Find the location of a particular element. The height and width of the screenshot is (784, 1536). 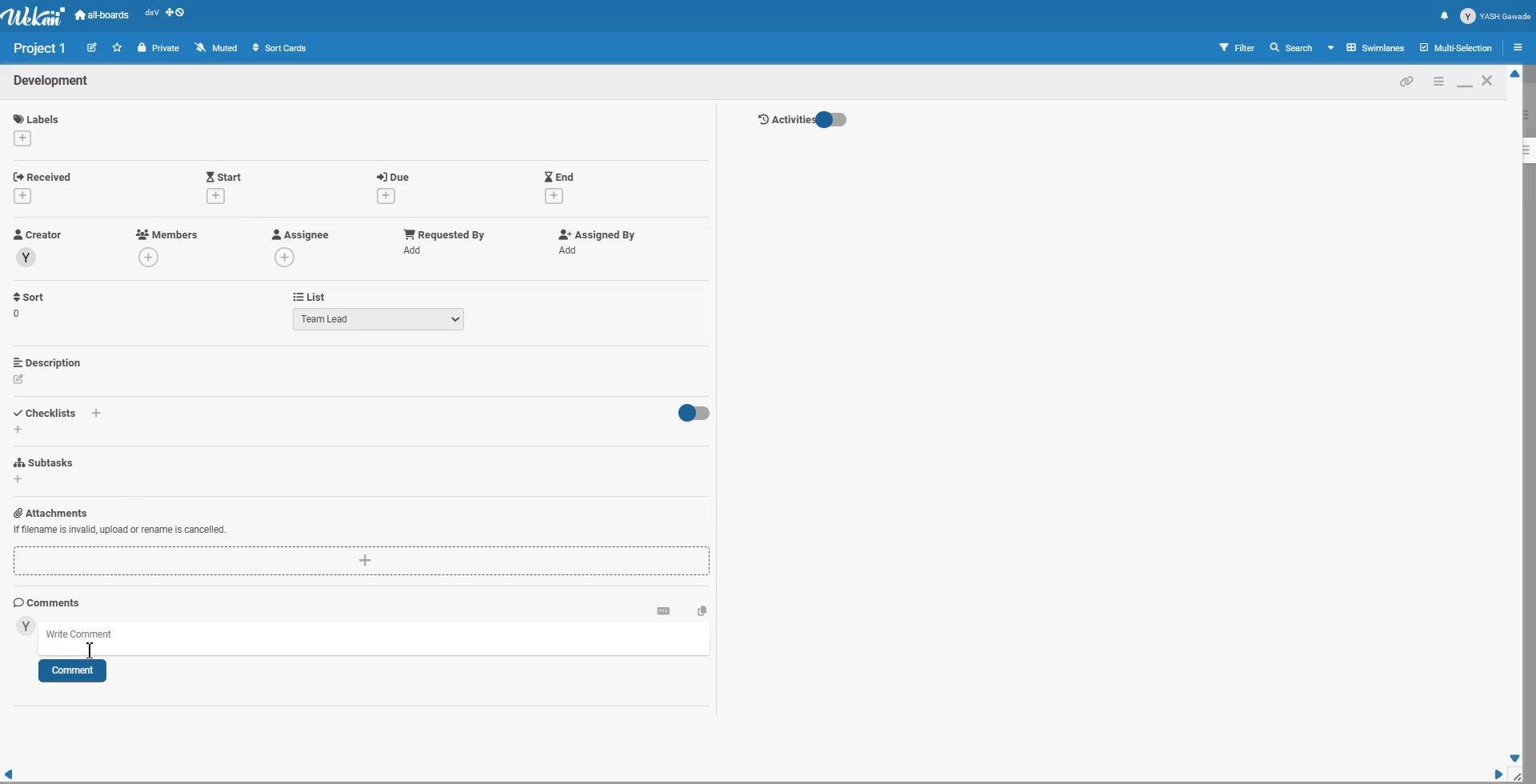

Add End Date is located at coordinates (560, 175).